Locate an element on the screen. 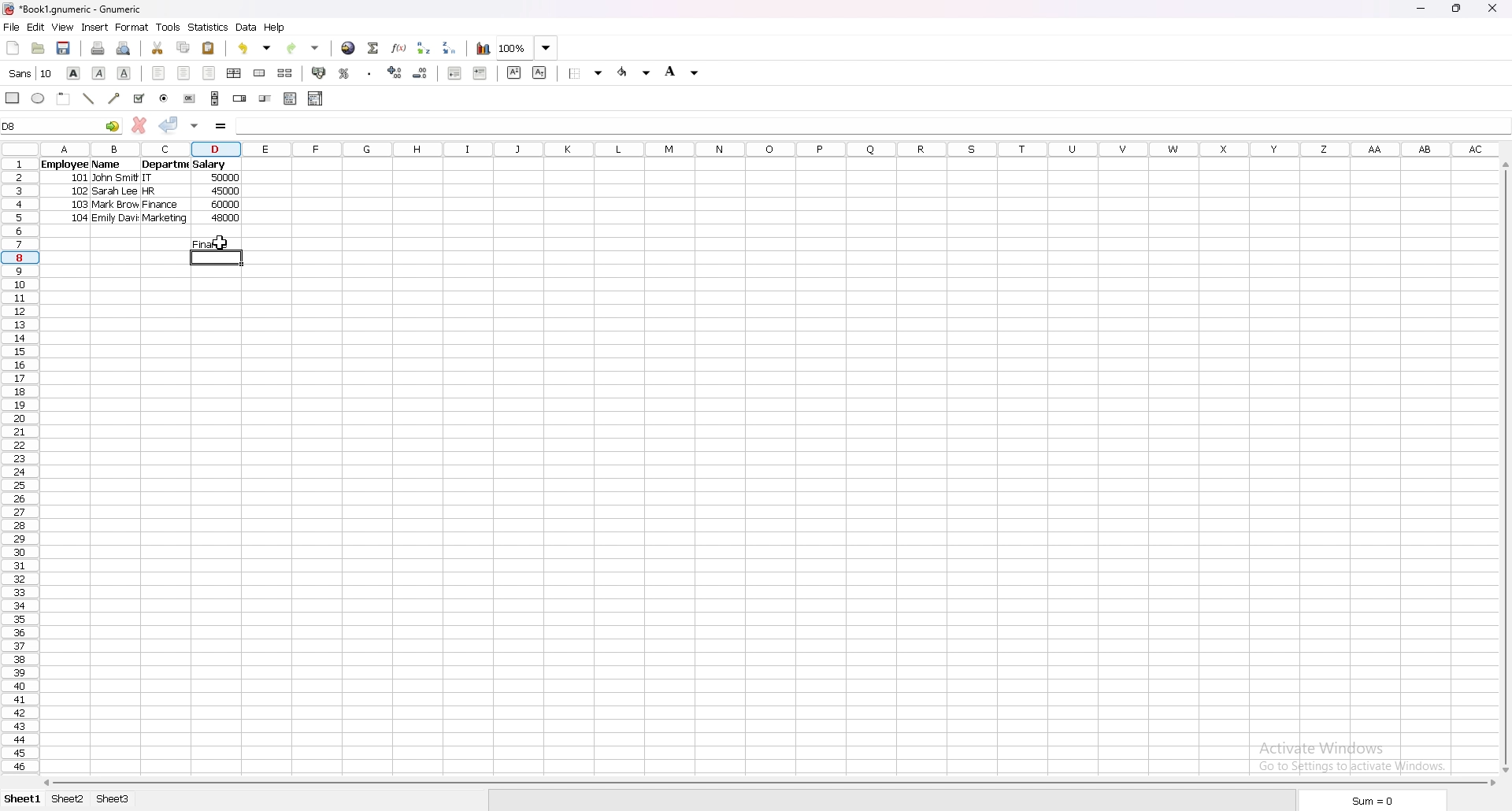  emily davi is located at coordinates (114, 220).